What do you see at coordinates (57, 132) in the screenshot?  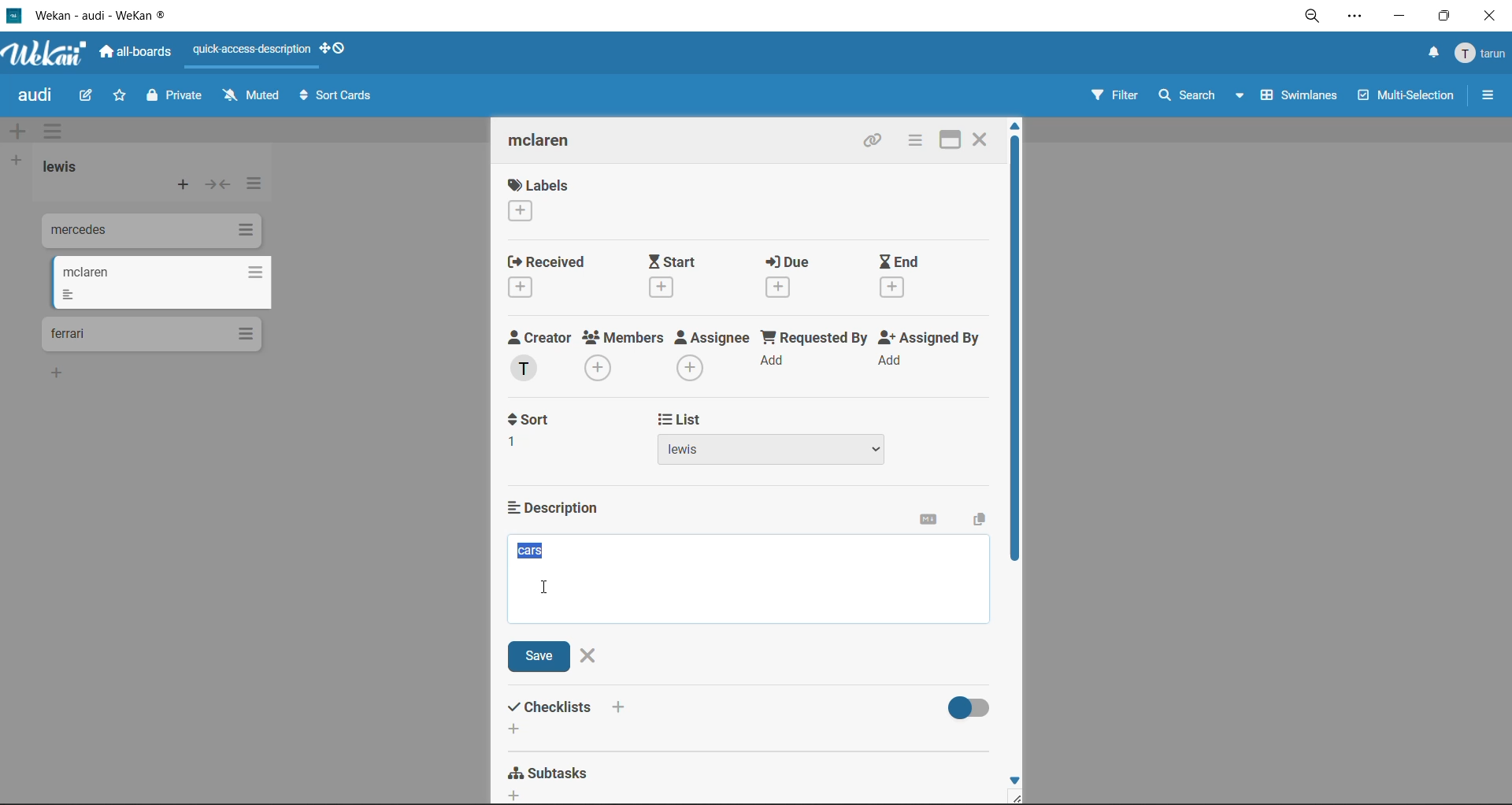 I see `swimlane actions` at bounding box center [57, 132].